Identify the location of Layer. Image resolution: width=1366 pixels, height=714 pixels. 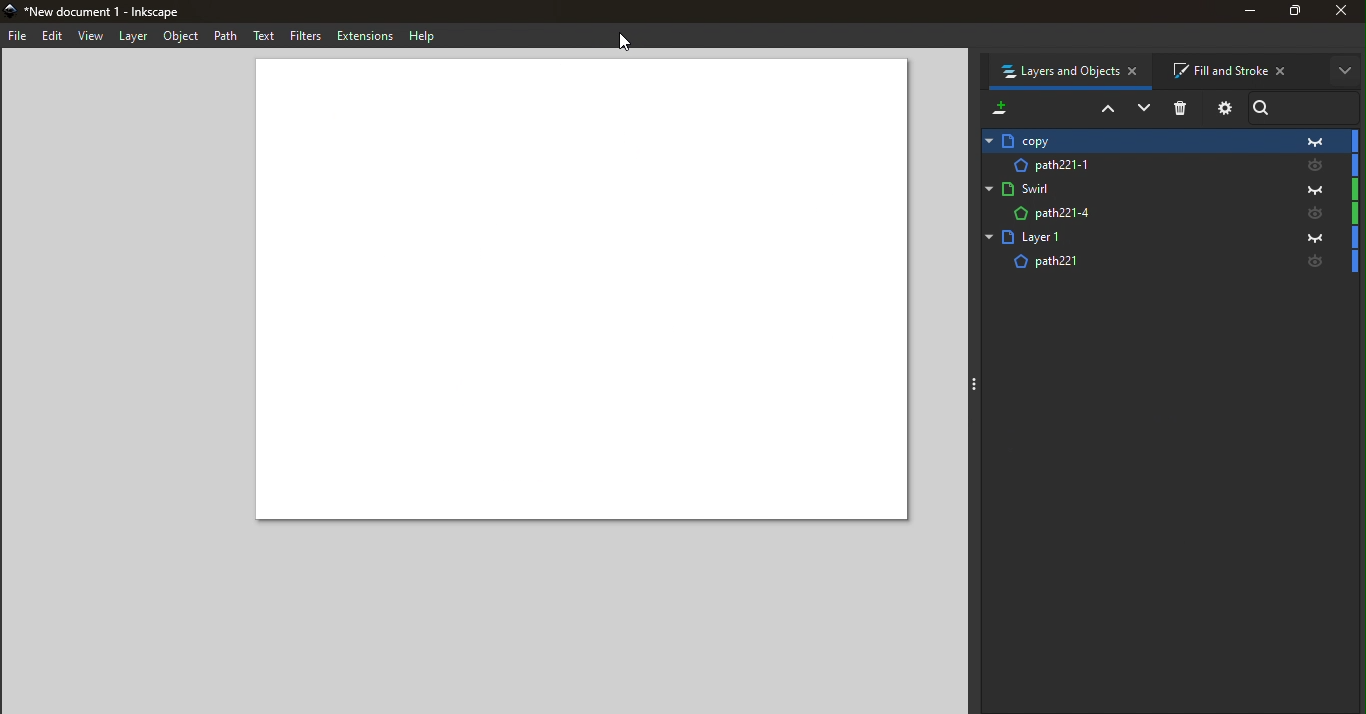
(1137, 164).